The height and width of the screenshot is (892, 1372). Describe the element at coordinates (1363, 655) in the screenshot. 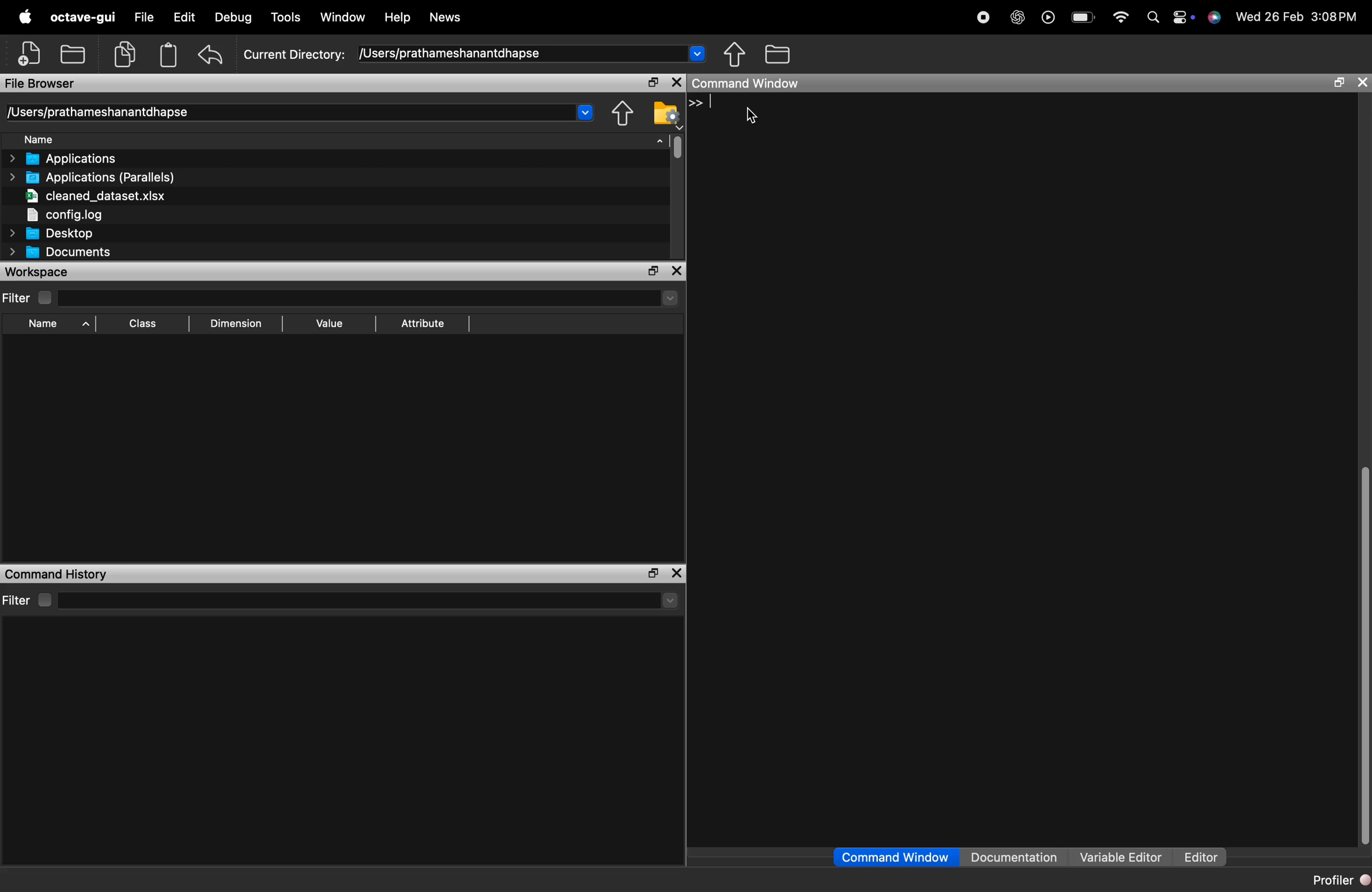

I see `vertical scrollbar` at that location.